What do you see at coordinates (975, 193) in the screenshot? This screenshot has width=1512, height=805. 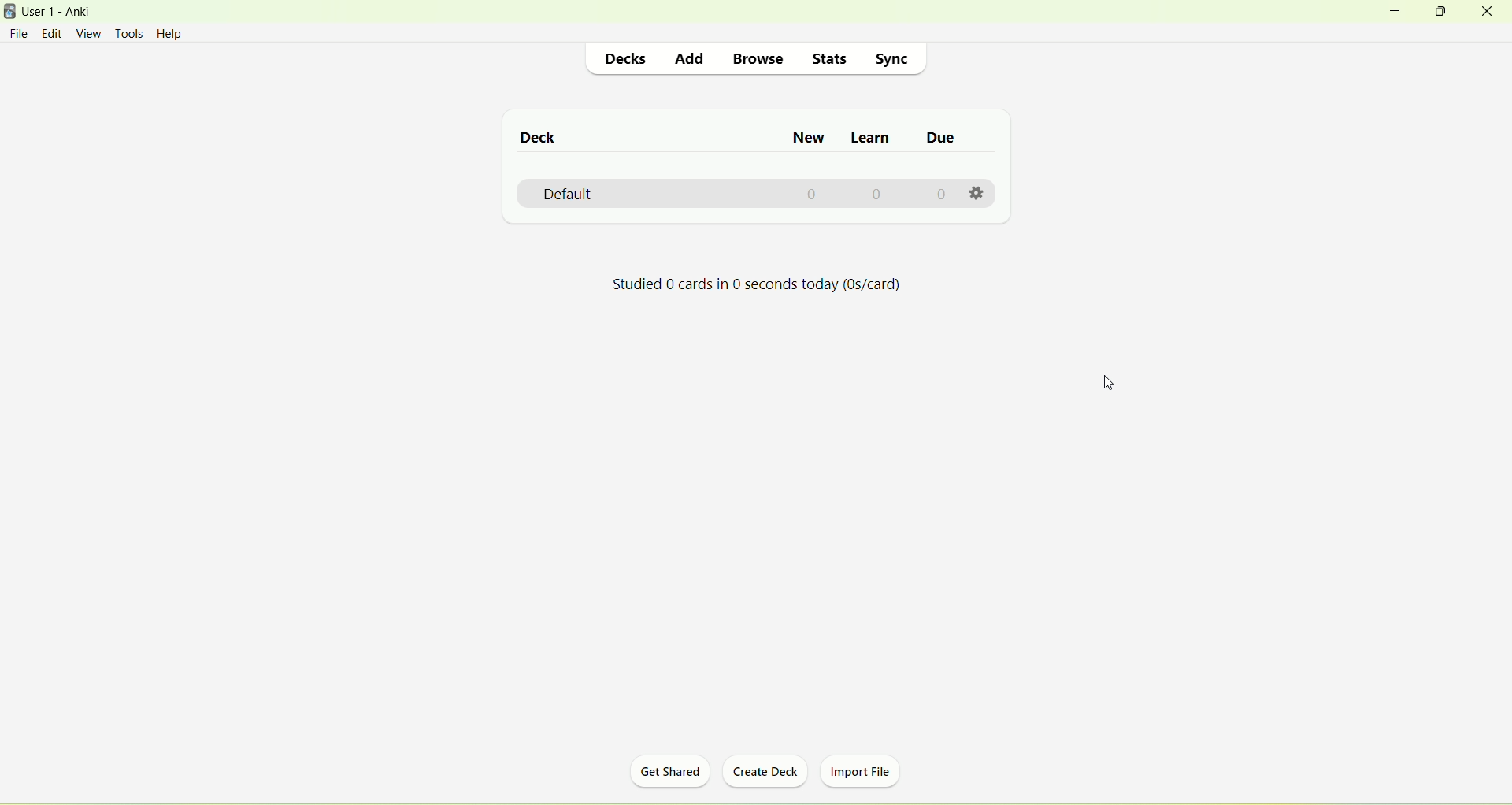 I see `settings` at bounding box center [975, 193].